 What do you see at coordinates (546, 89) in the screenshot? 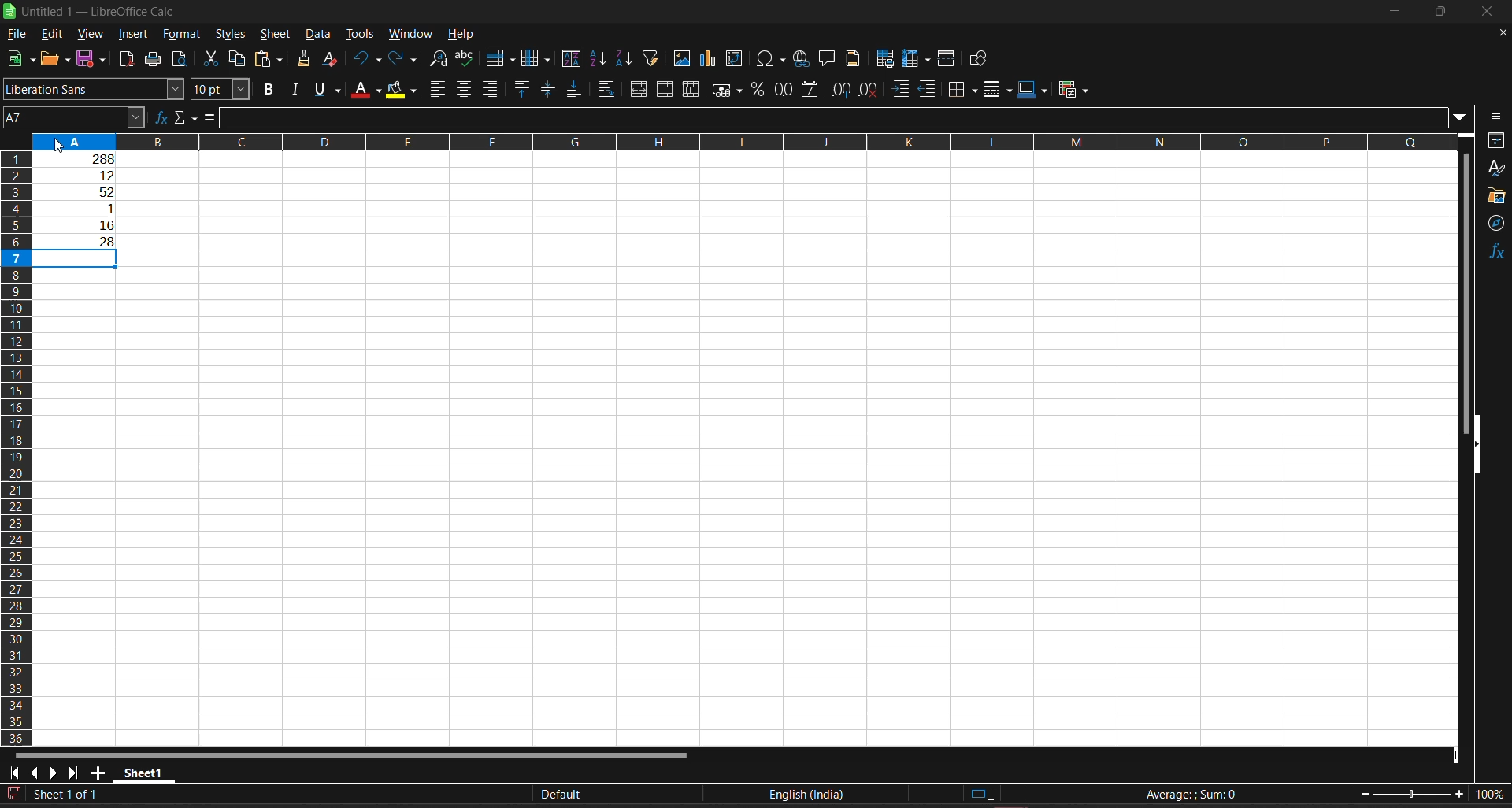
I see `center vertically` at bounding box center [546, 89].